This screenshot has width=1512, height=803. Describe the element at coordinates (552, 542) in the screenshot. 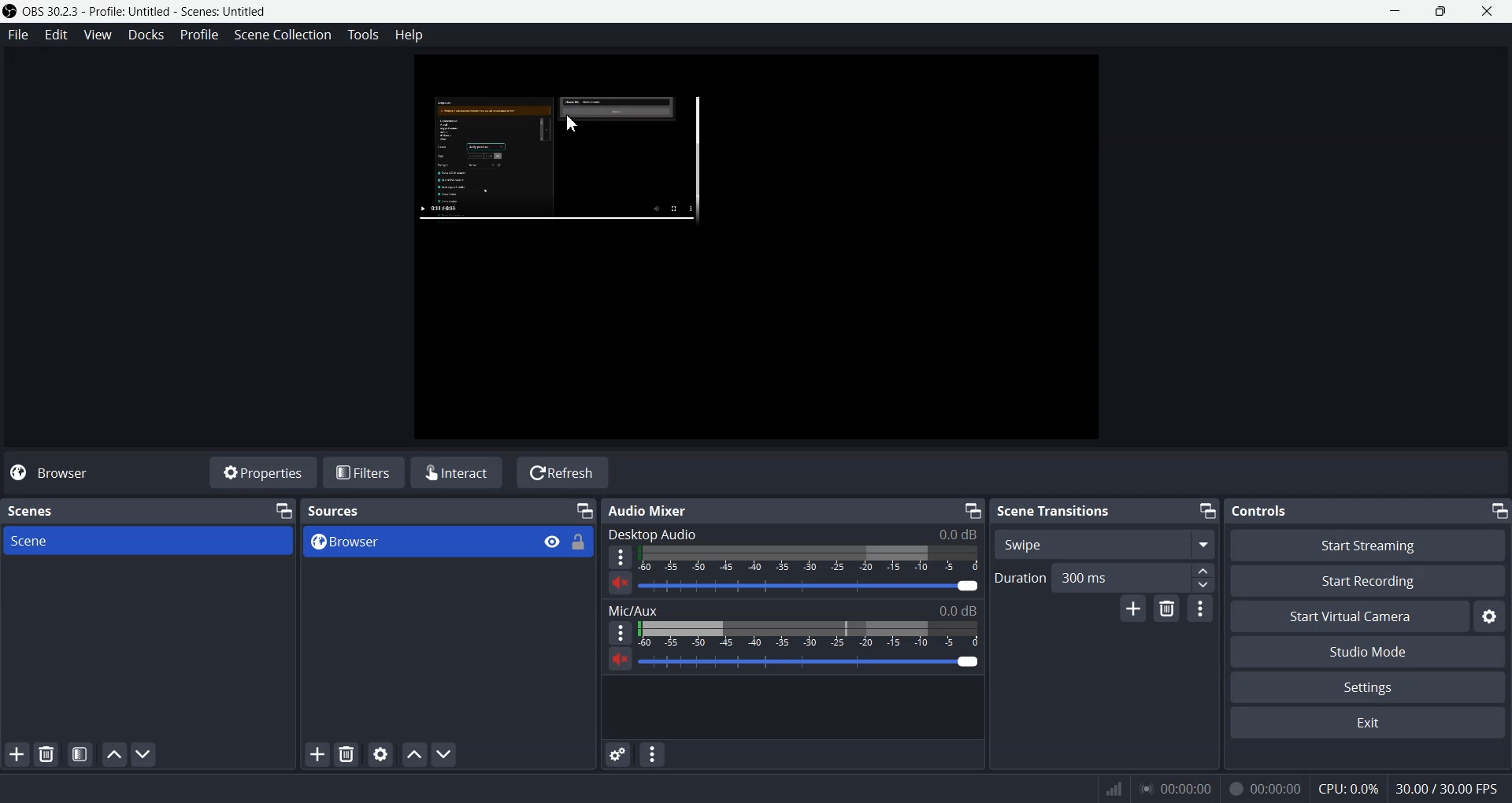

I see `Eye` at that location.